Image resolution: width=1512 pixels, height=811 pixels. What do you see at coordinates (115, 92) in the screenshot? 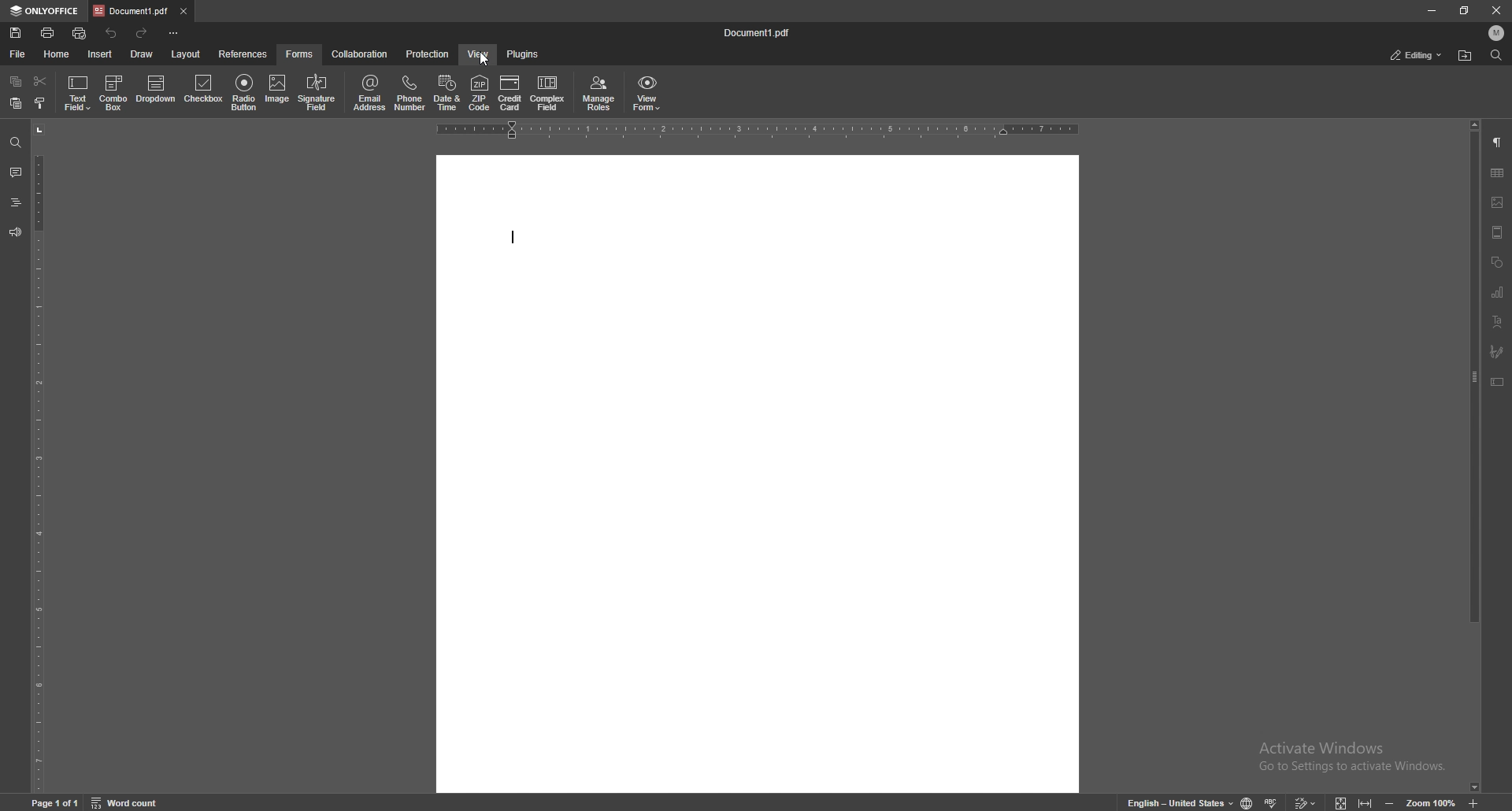
I see `combo box` at bounding box center [115, 92].